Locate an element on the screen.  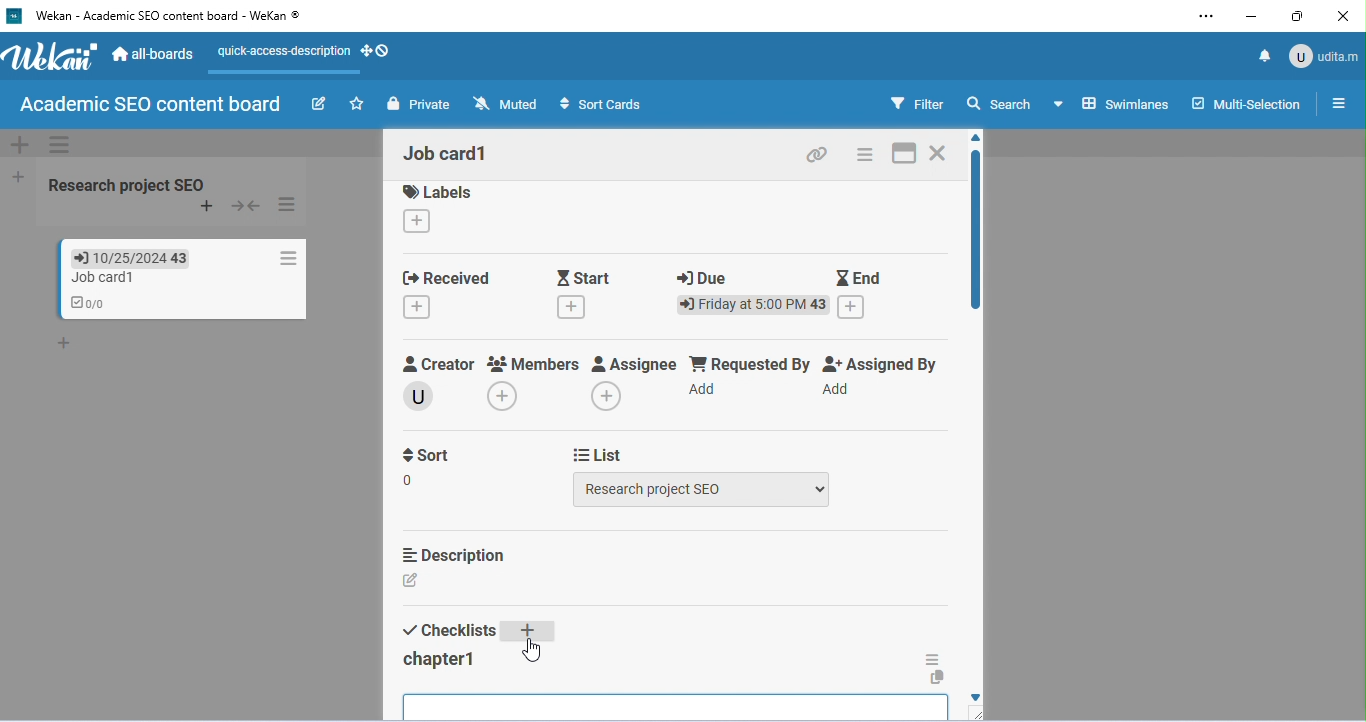
settings and more is located at coordinates (1205, 18).